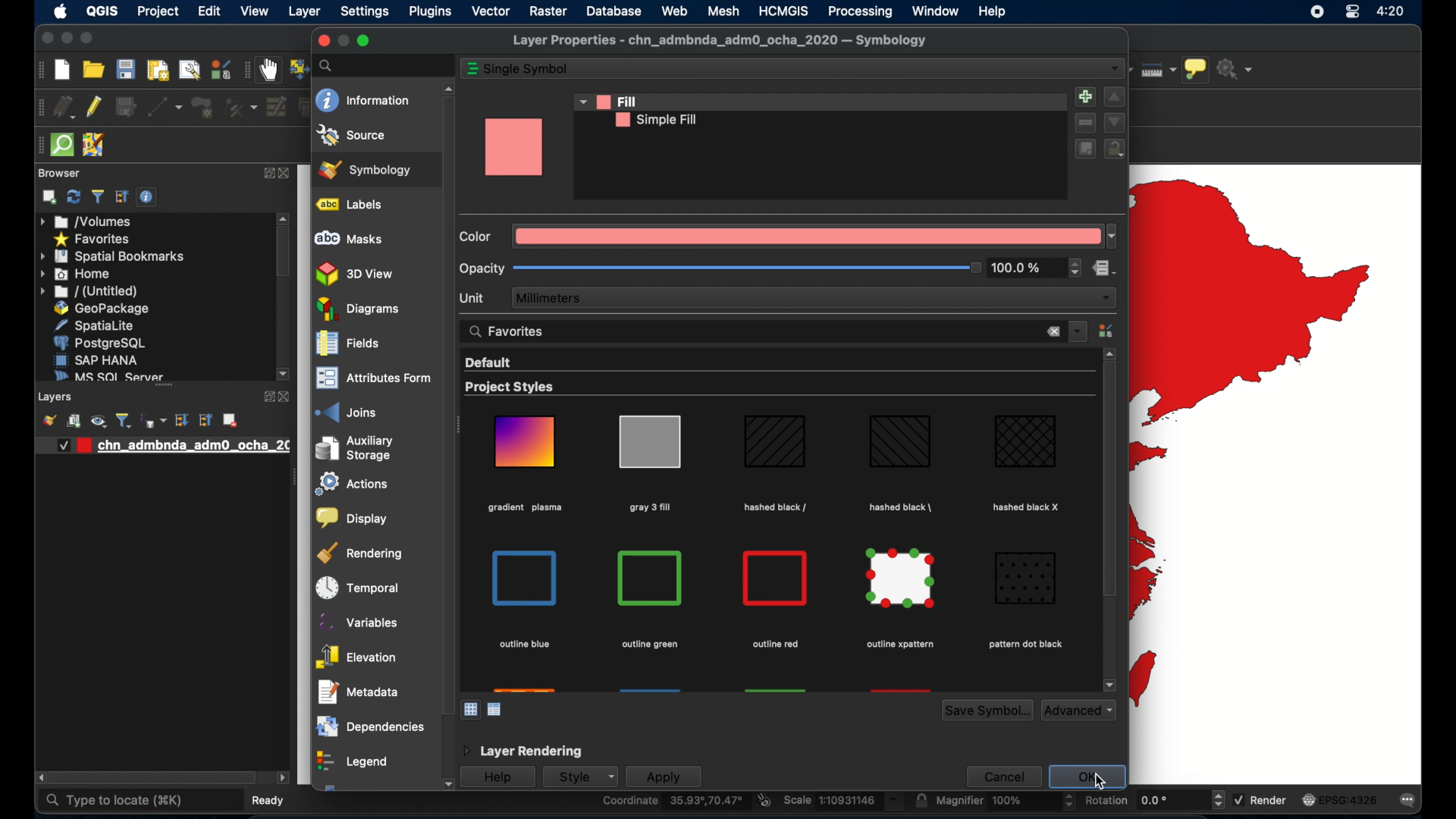 The image size is (1456, 819). Describe the element at coordinates (604, 101) in the screenshot. I see `fill` at that location.